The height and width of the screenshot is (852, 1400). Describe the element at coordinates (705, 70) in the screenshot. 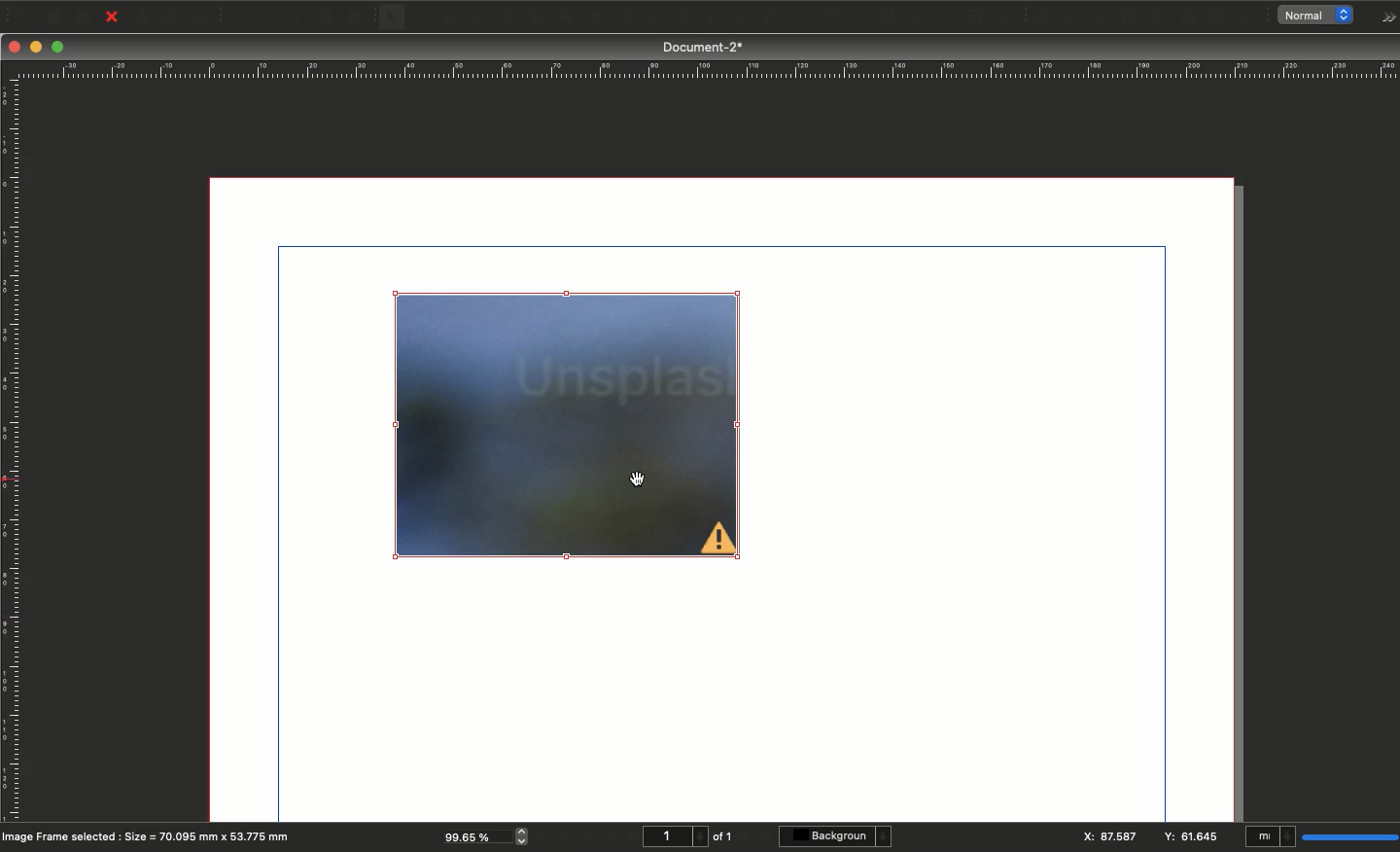

I see `Ruler` at that location.